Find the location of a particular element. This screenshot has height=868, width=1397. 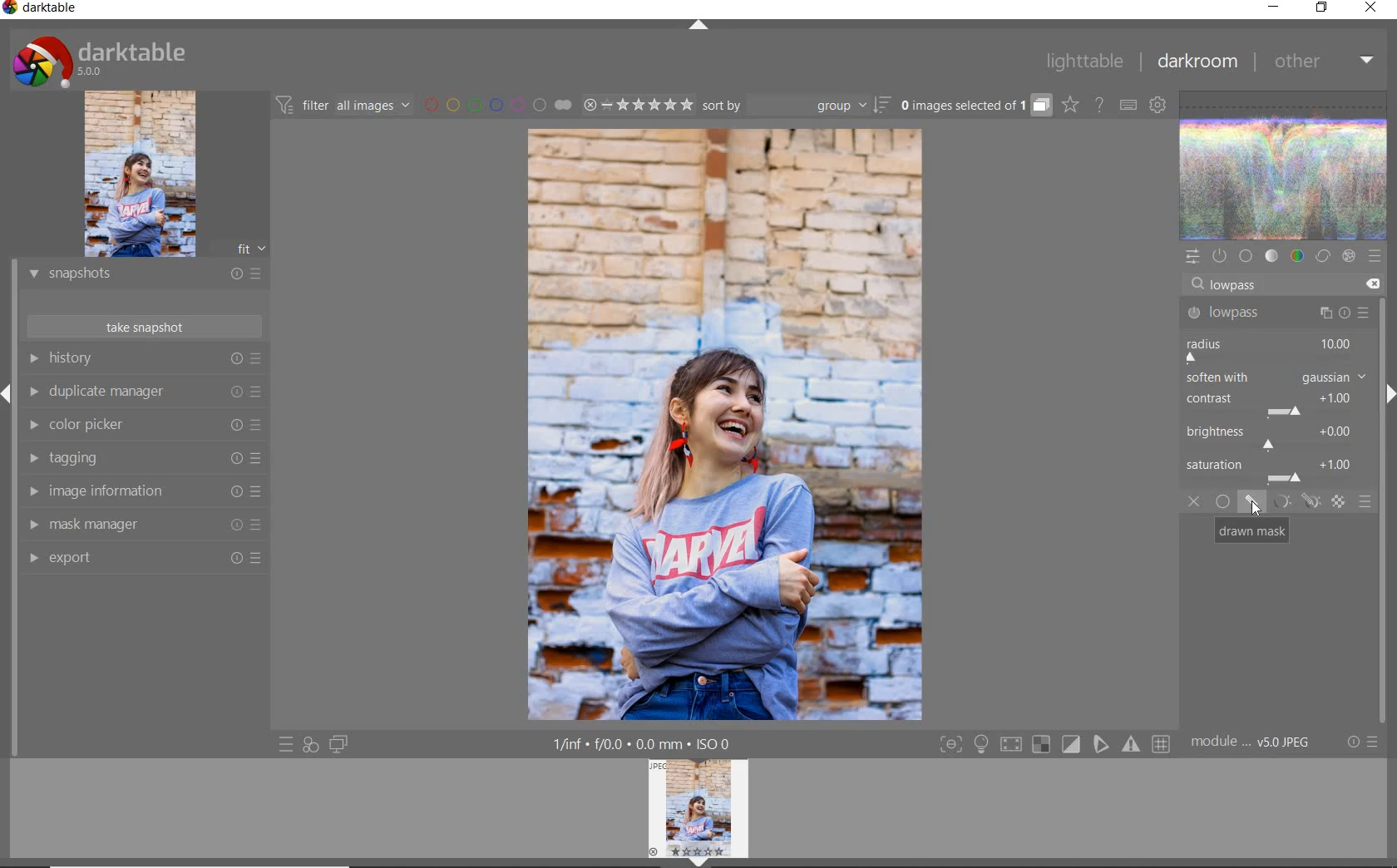

show global preferences is located at coordinates (1158, 106).